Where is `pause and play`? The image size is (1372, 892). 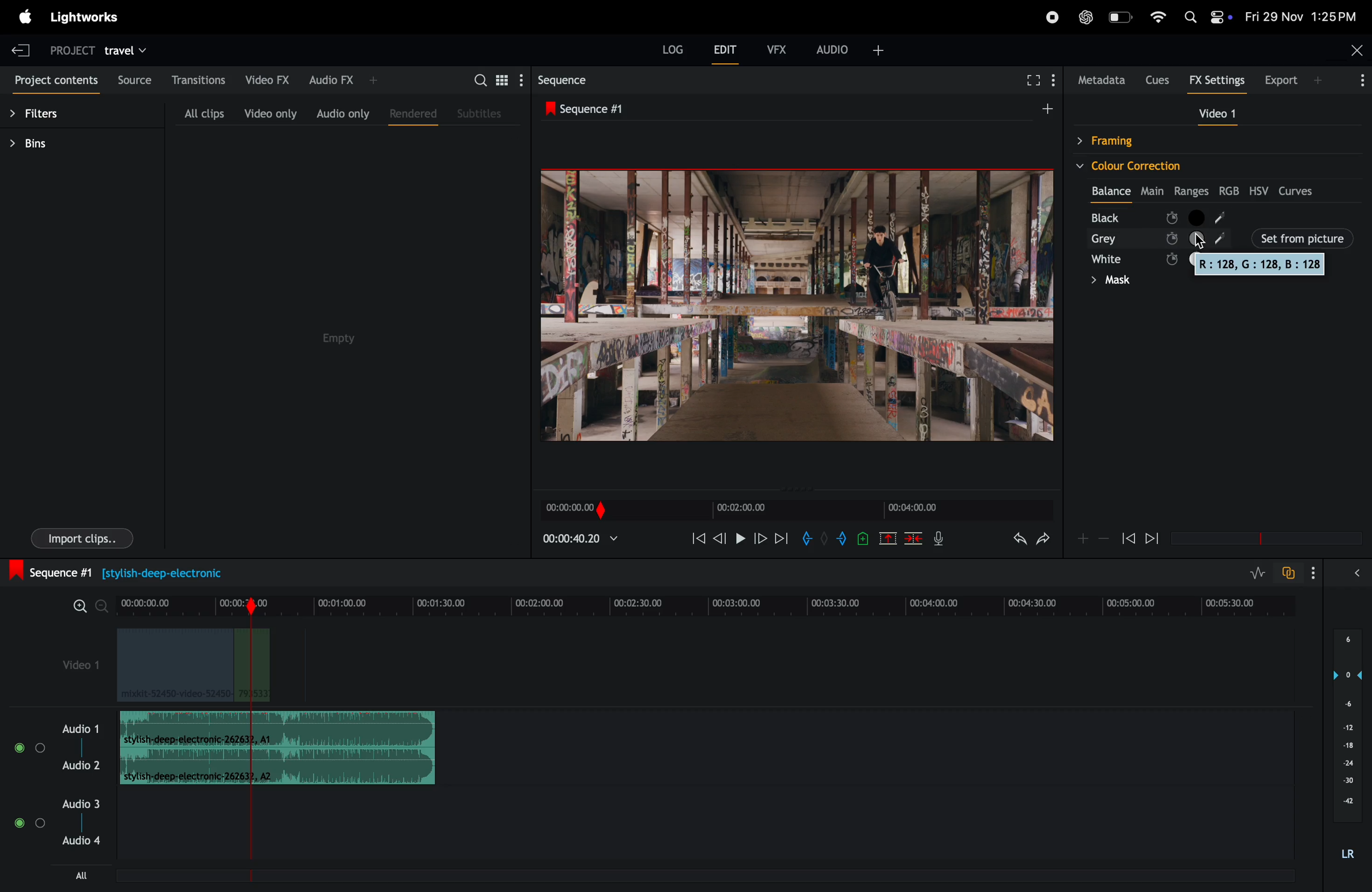 pause and play is located at coordinates (744, 538).